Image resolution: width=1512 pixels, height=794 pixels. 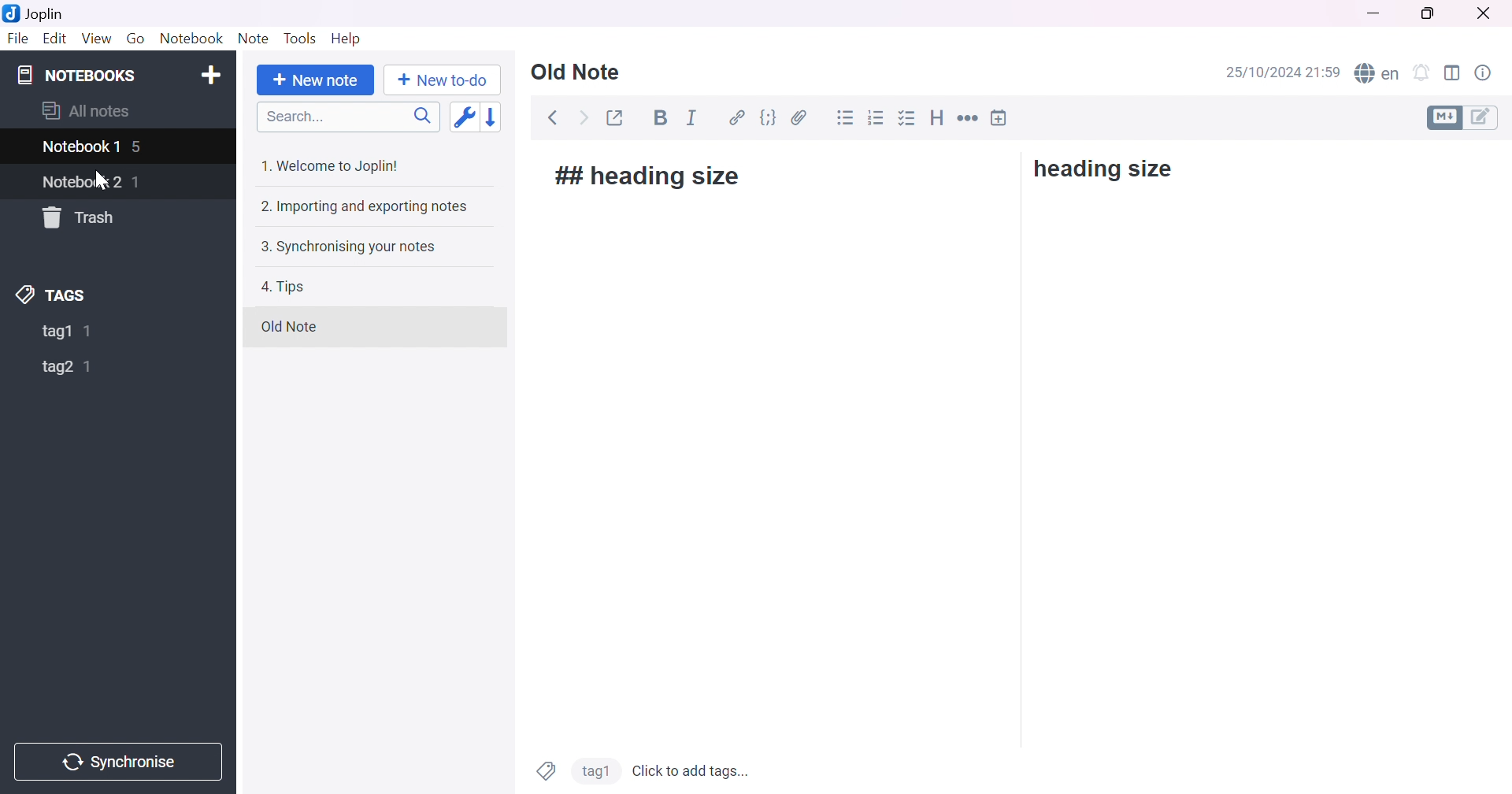 I want to click on 4. Tips, so click(x=283, y=287).